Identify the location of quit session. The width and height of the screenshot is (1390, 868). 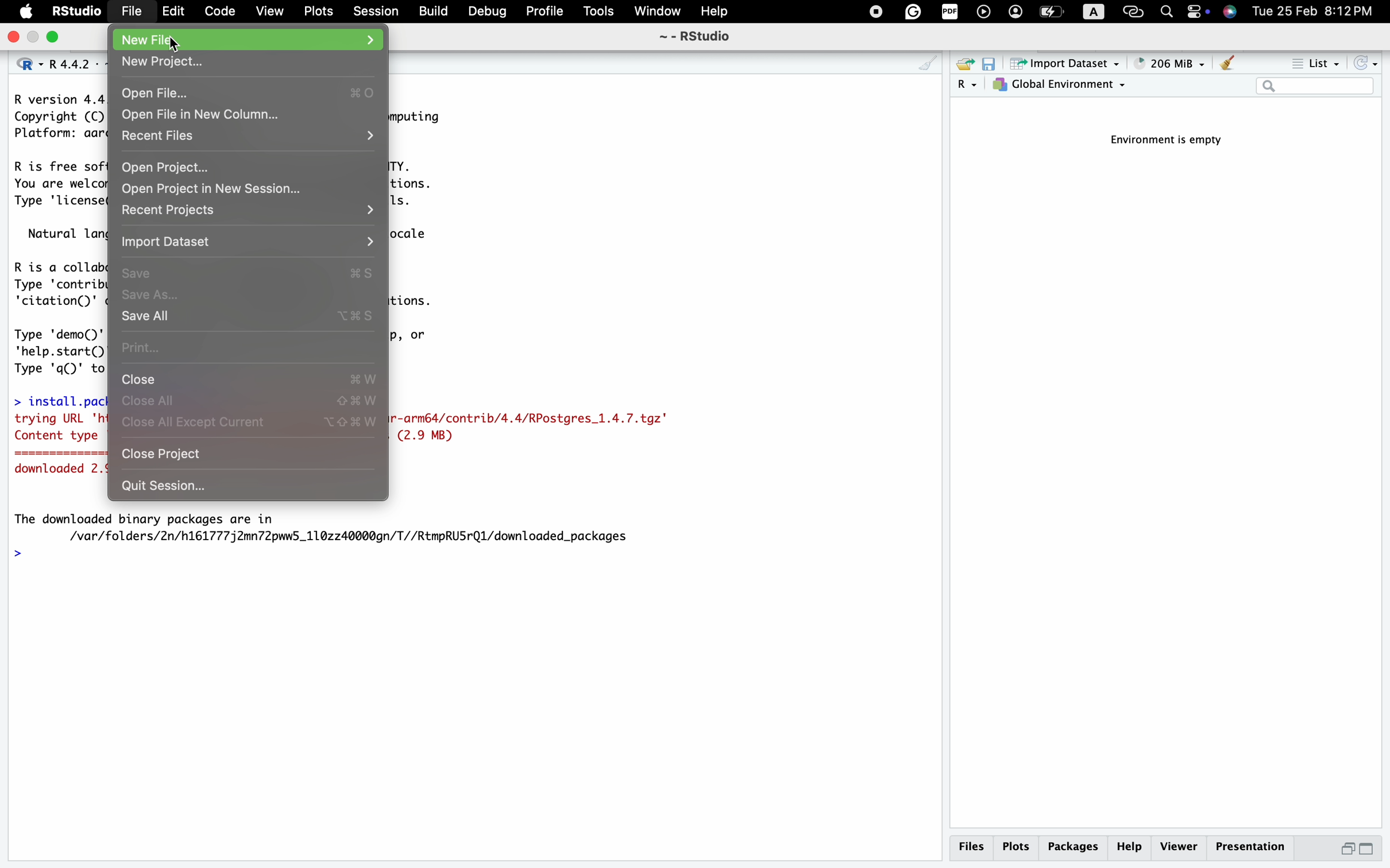
(237, 488).